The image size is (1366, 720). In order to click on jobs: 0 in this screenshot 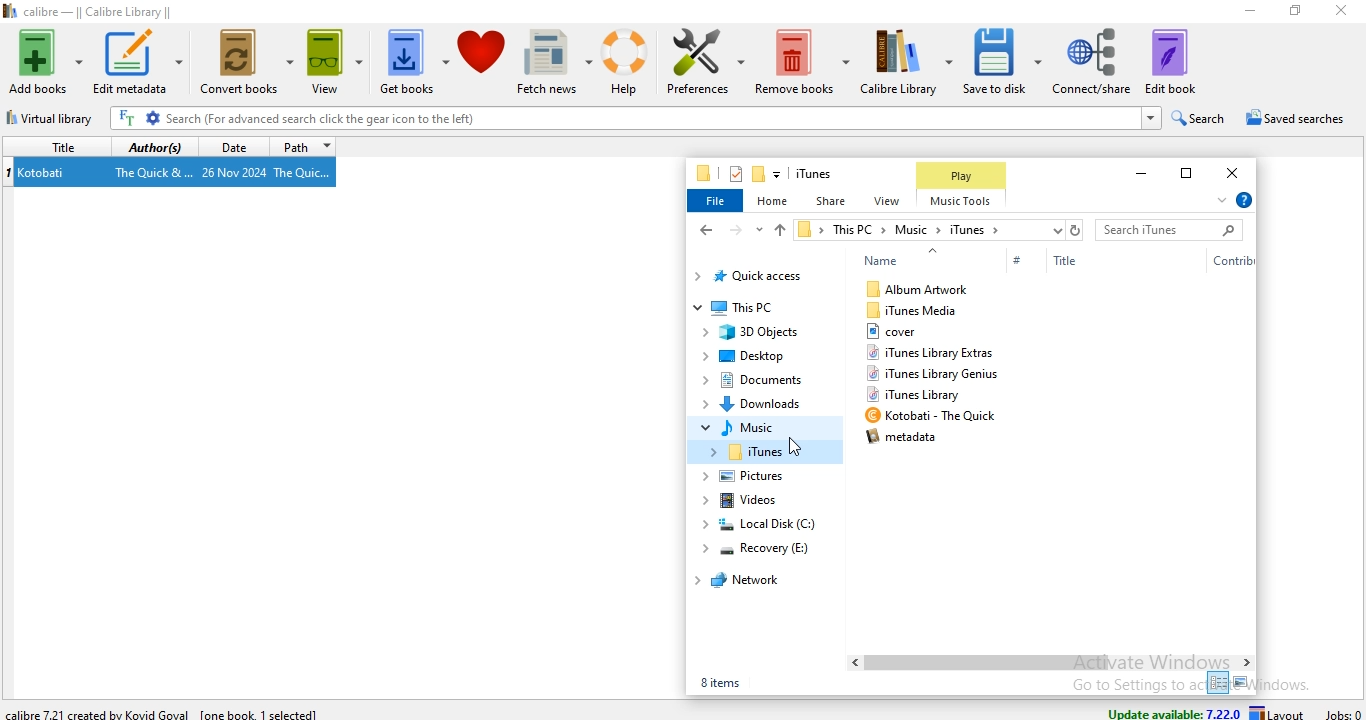, I will do `click(1343, 711)`.